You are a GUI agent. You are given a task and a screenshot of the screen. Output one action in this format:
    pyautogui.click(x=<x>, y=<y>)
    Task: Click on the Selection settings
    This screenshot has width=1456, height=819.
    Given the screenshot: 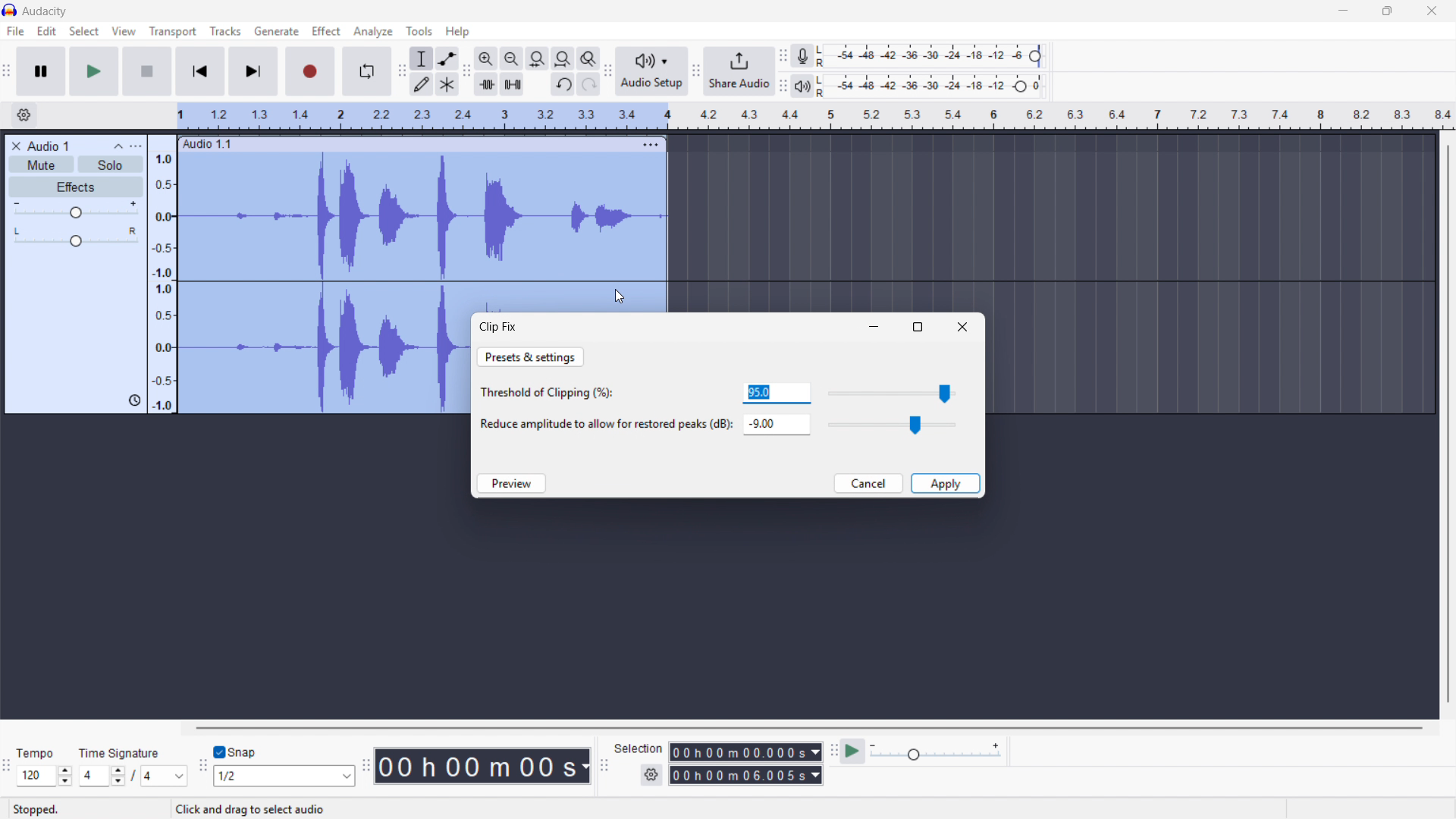 What is the action you would take?
    pyautogui.click(x=651, y=775)
    